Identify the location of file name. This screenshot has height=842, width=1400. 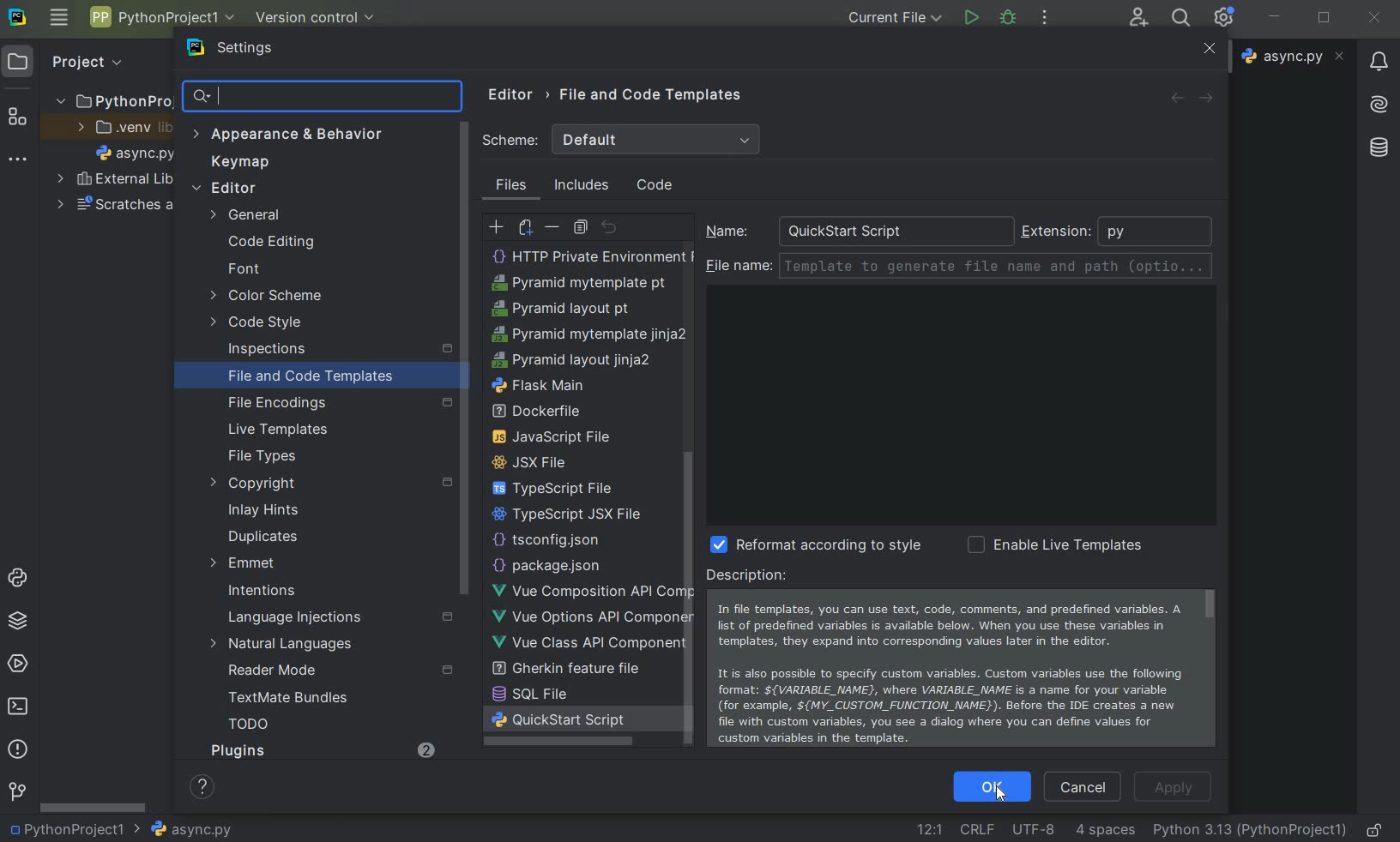
(962, 269).